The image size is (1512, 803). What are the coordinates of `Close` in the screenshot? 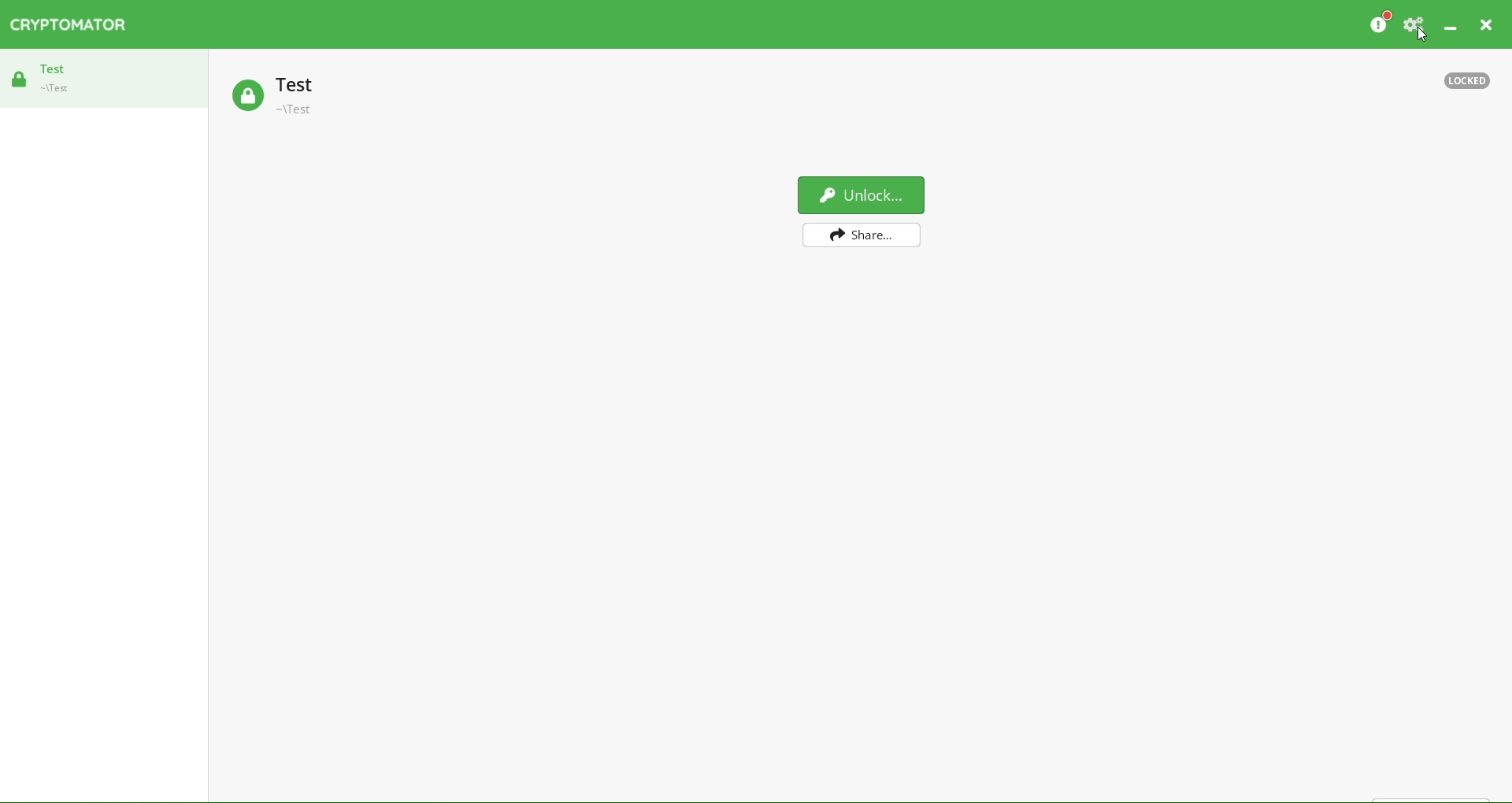 It's located at (1492, 24).